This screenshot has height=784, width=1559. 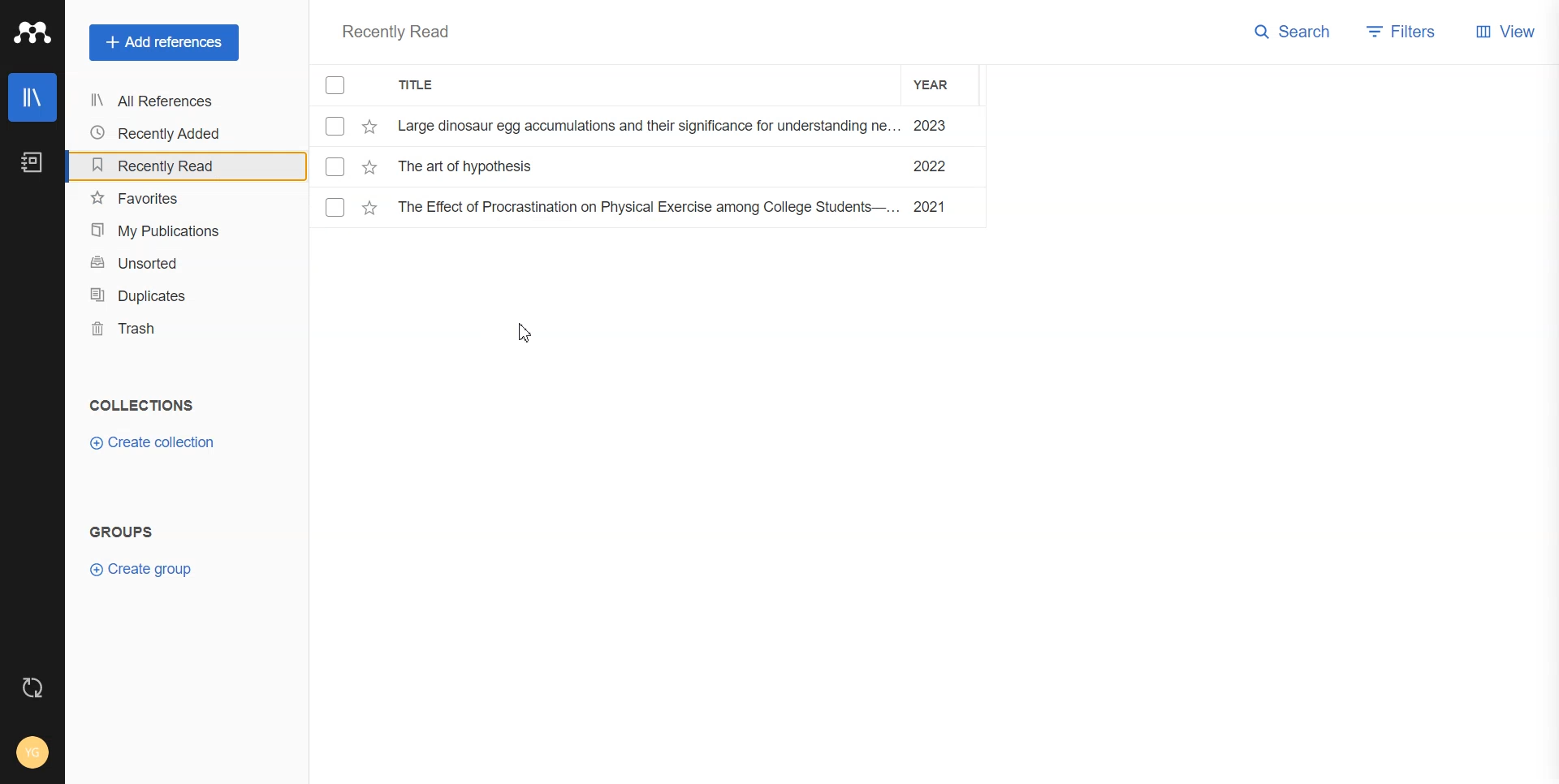 What do you see at coordinates (168, 264) in the screenshot?
I see `Unsorted` at bounding box center [168, 264].